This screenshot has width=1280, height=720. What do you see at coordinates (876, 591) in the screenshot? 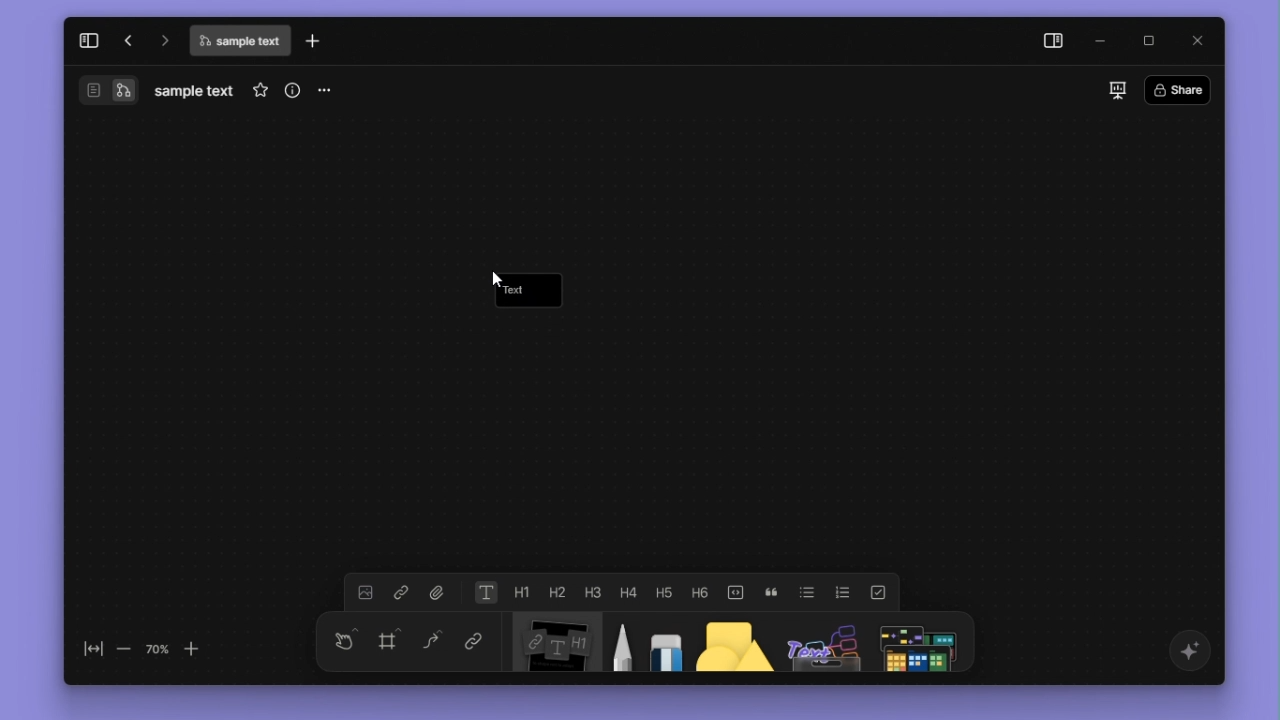
I see `to do list` at bounding box center [876, 591].